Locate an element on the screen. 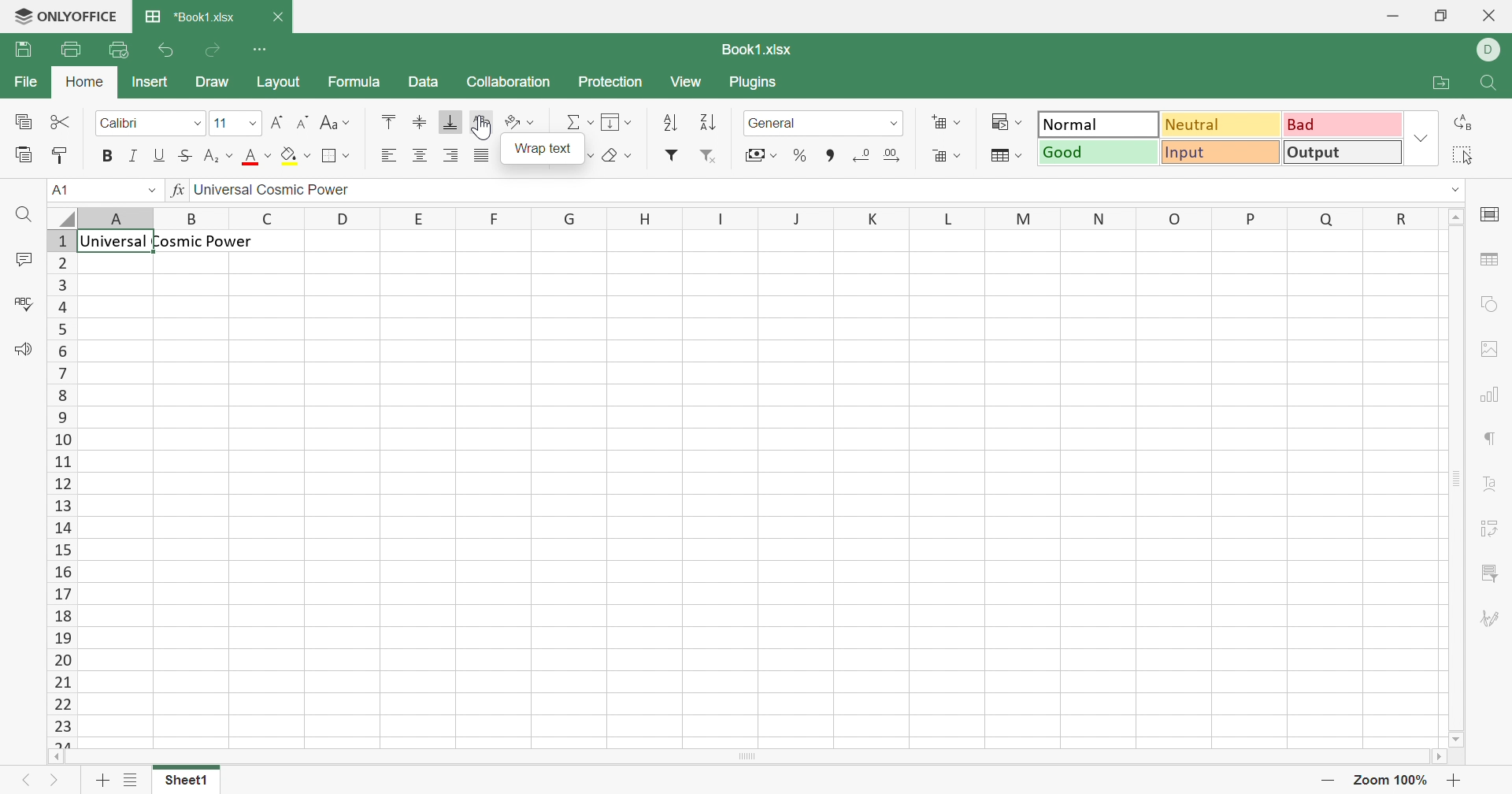  Format Table as Template is located at coordinates (1006, 156).